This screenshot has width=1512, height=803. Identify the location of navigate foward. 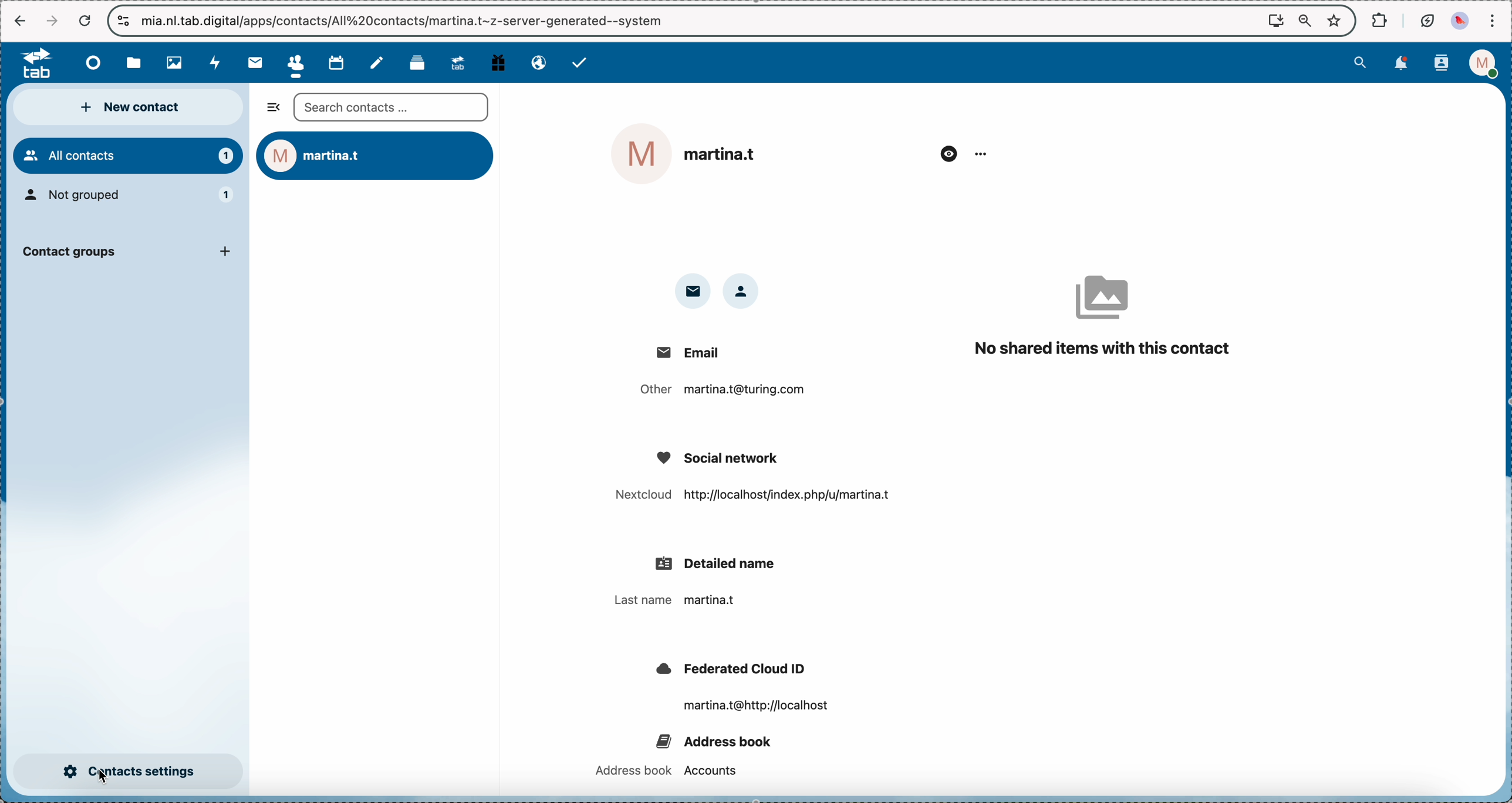
(49, 20).